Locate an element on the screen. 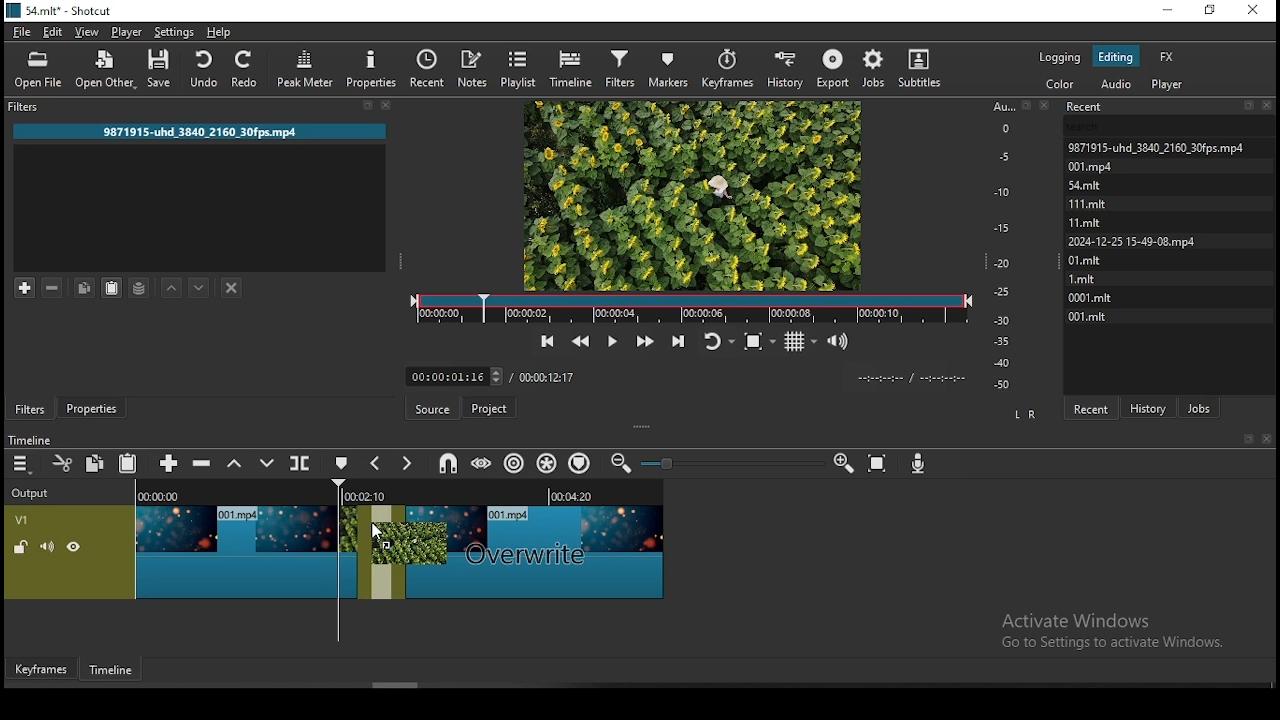 The image size is (1280, 720). redo is located at coordinates (245, 68).